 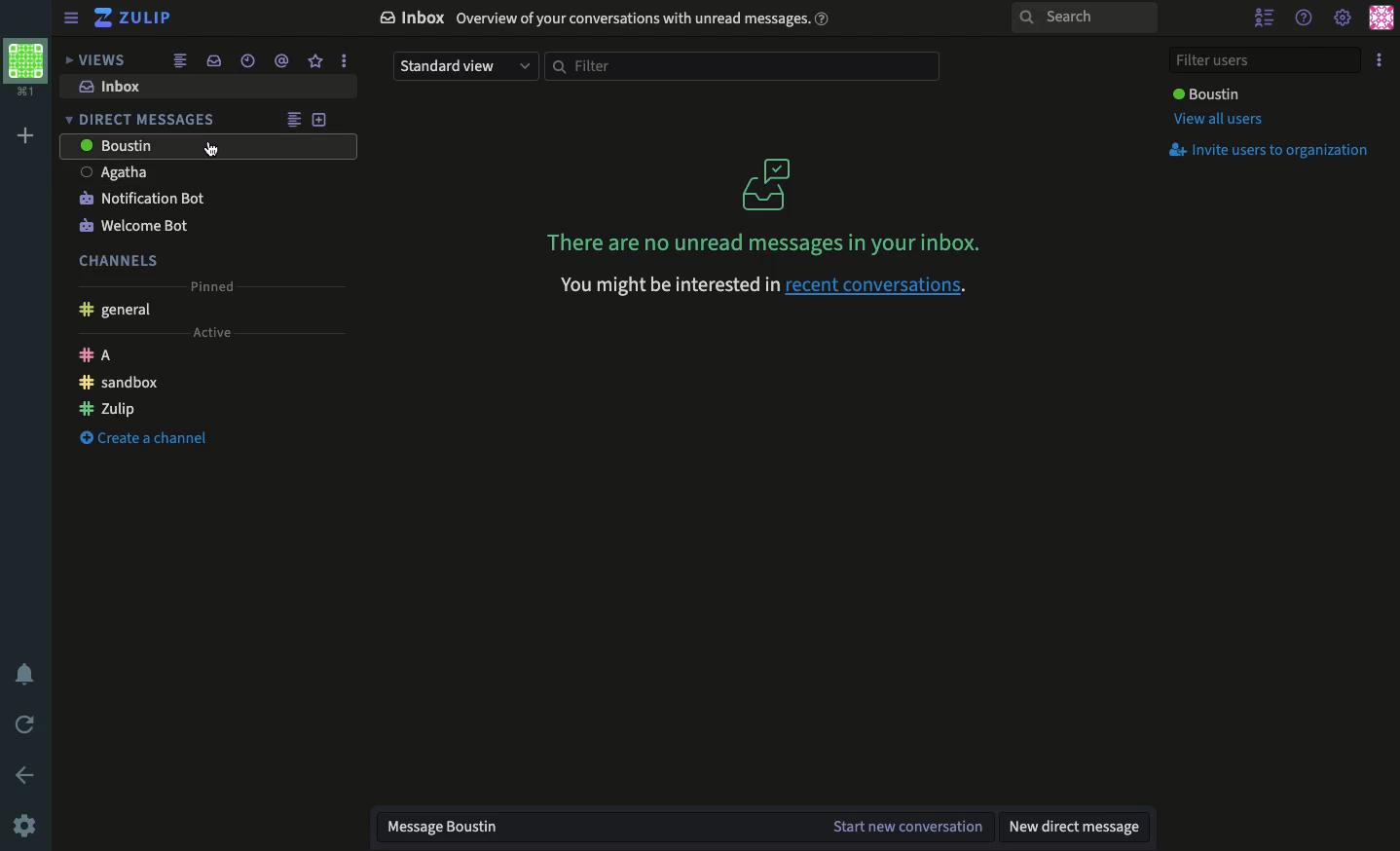 I want to click on User, so click(x=208, y=145).